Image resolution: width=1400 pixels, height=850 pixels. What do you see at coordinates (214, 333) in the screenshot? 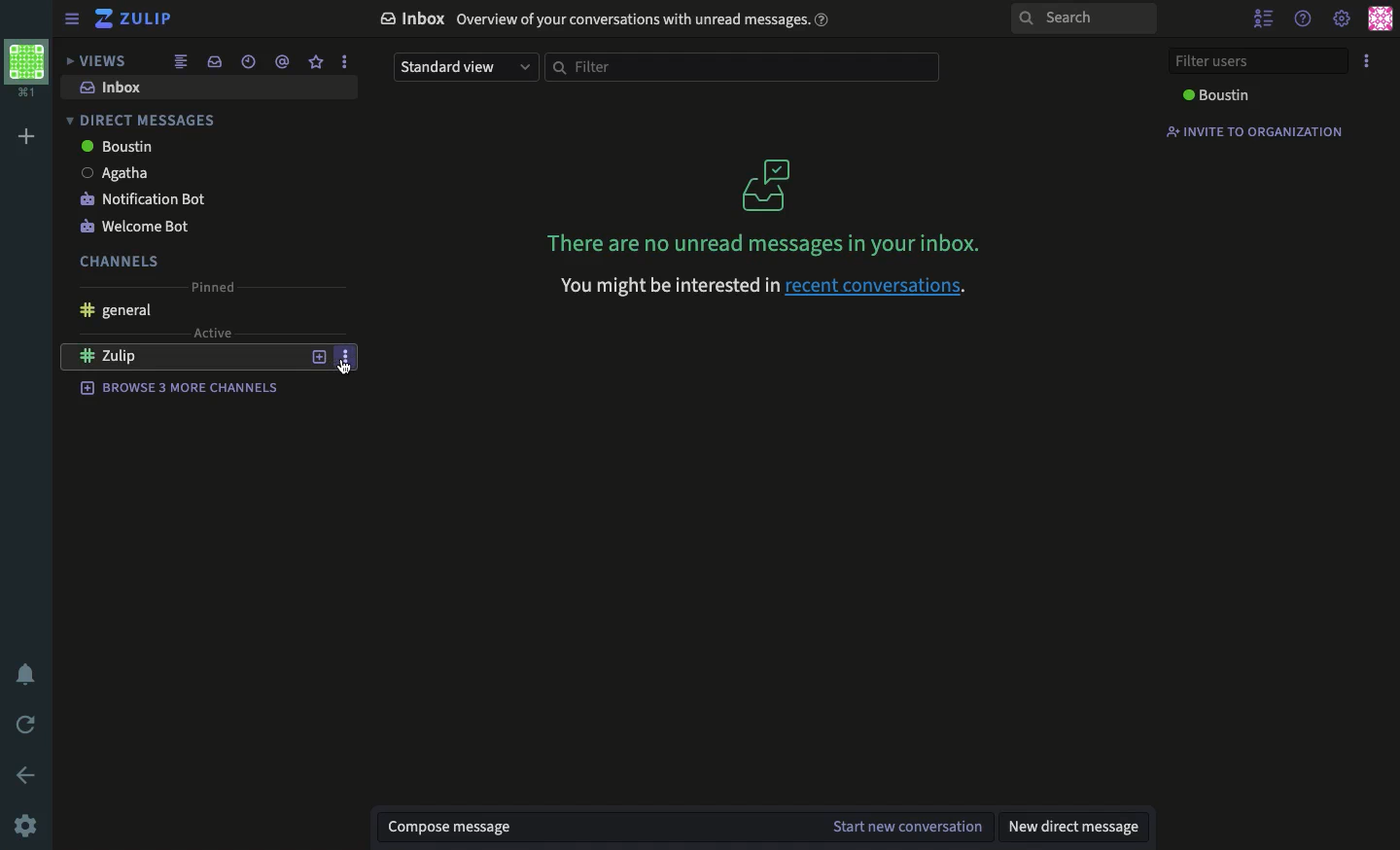
I see `active` at bounding box center [214, 333].